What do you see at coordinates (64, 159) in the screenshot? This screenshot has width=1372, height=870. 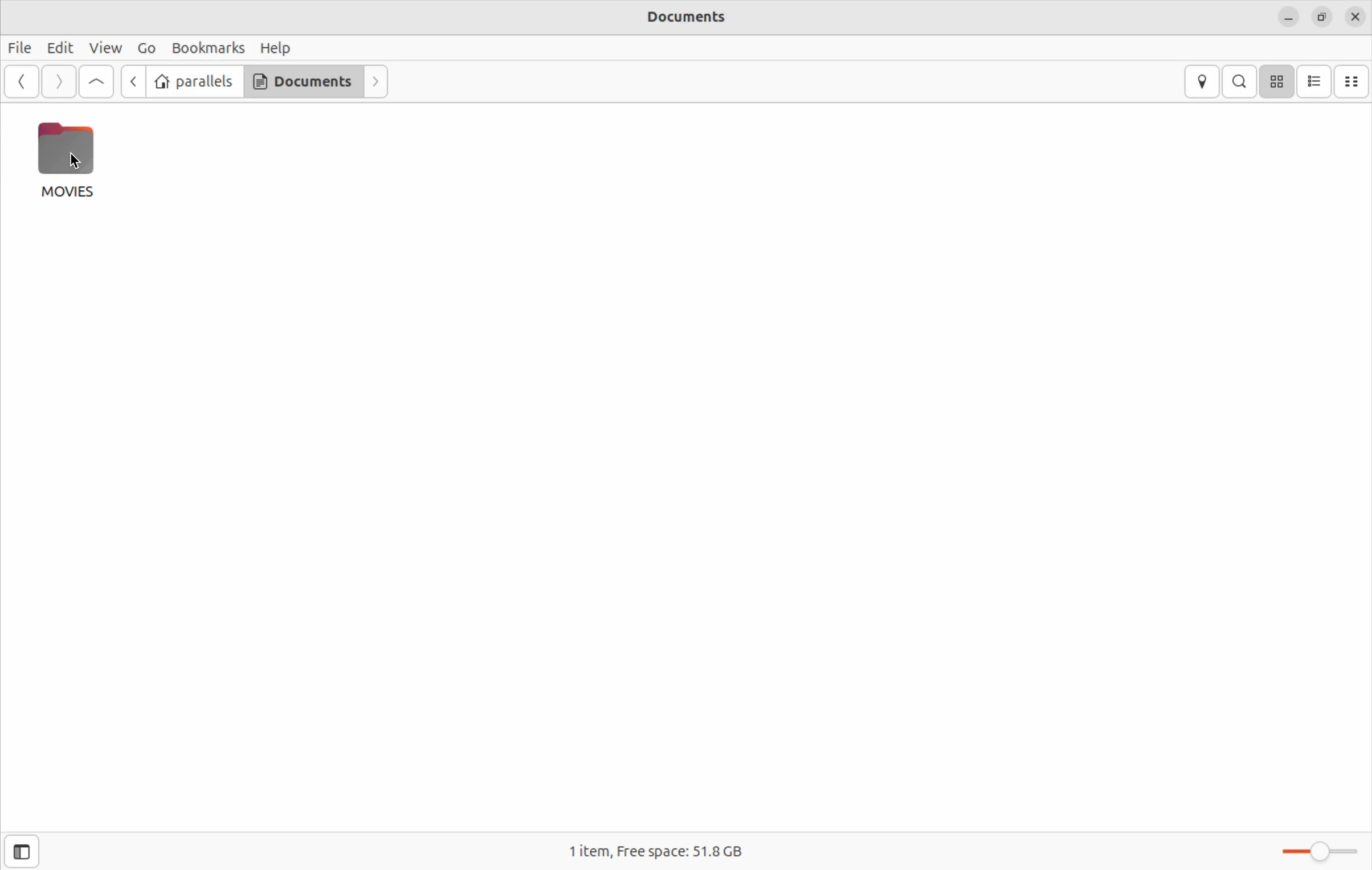 I see `MOVIES` at bounding box center [64, 159].